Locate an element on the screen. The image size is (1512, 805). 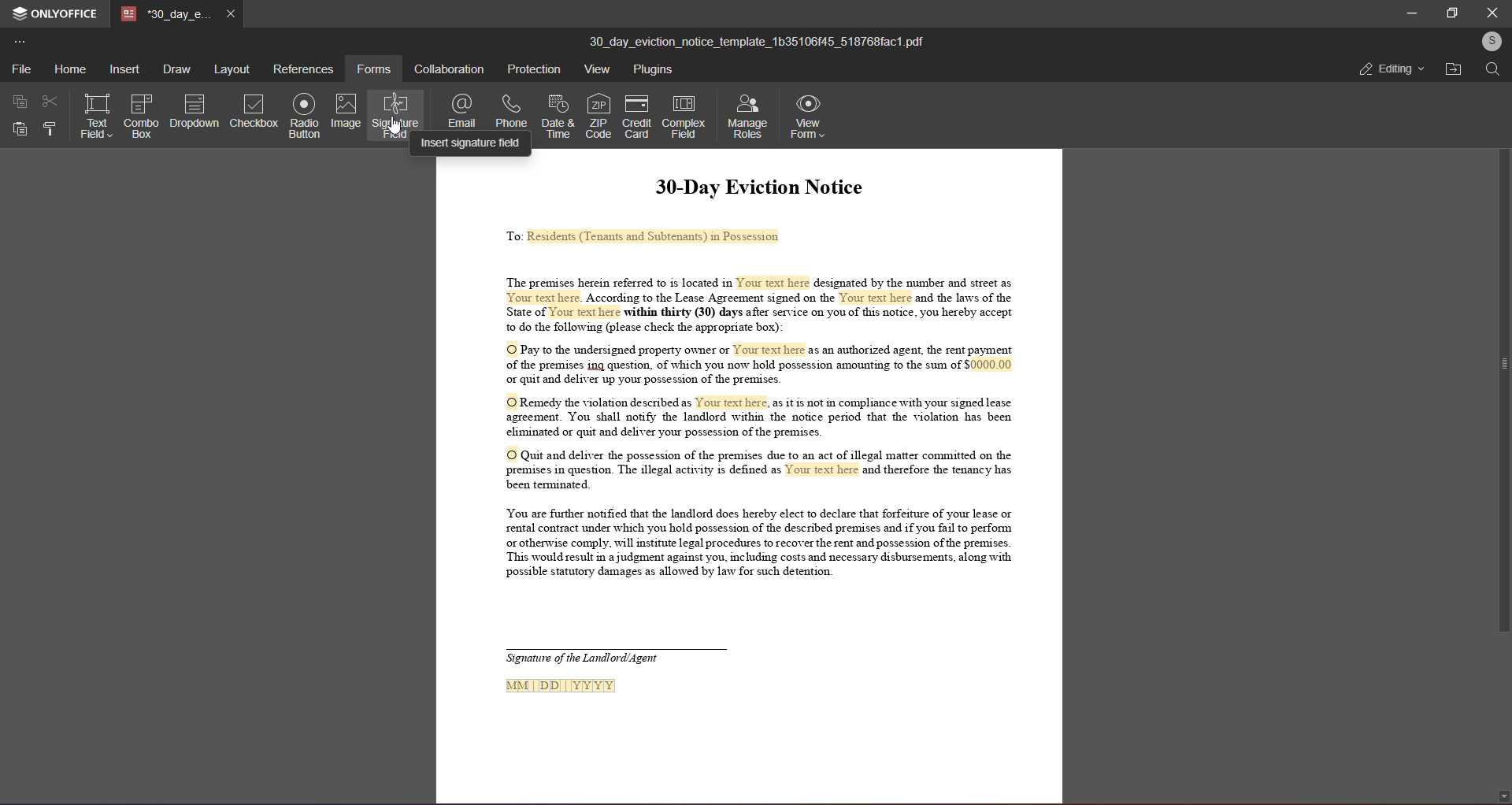
This is a 30 day eviction notice informing tenants that they must either pay overdue rent,correct a lease violation, or vacate the premises due to illegal activity. Failure to comply will result in legal actions. is located at coordinates (750, 480).